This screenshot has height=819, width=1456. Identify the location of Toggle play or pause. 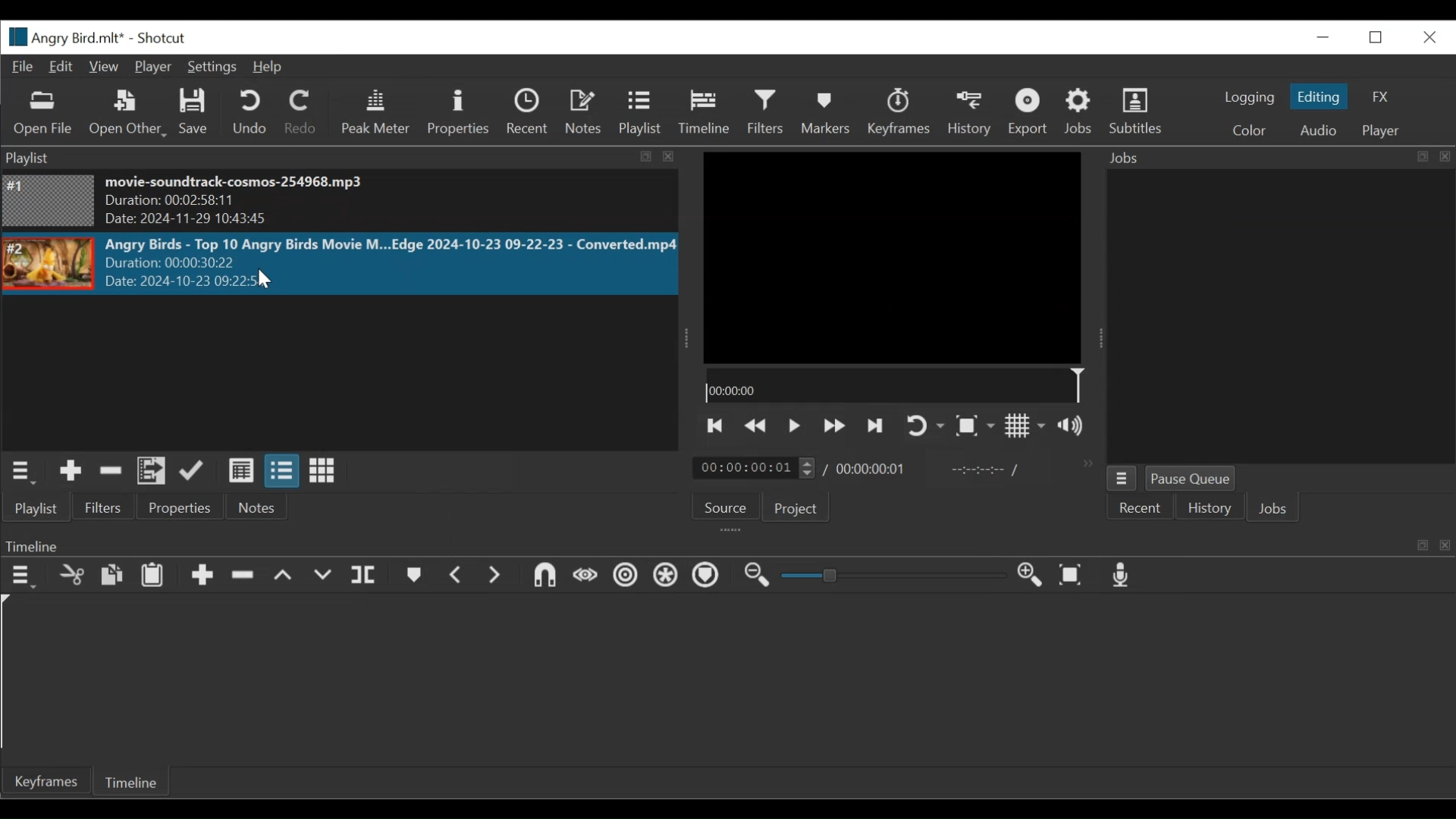
(795, 426).